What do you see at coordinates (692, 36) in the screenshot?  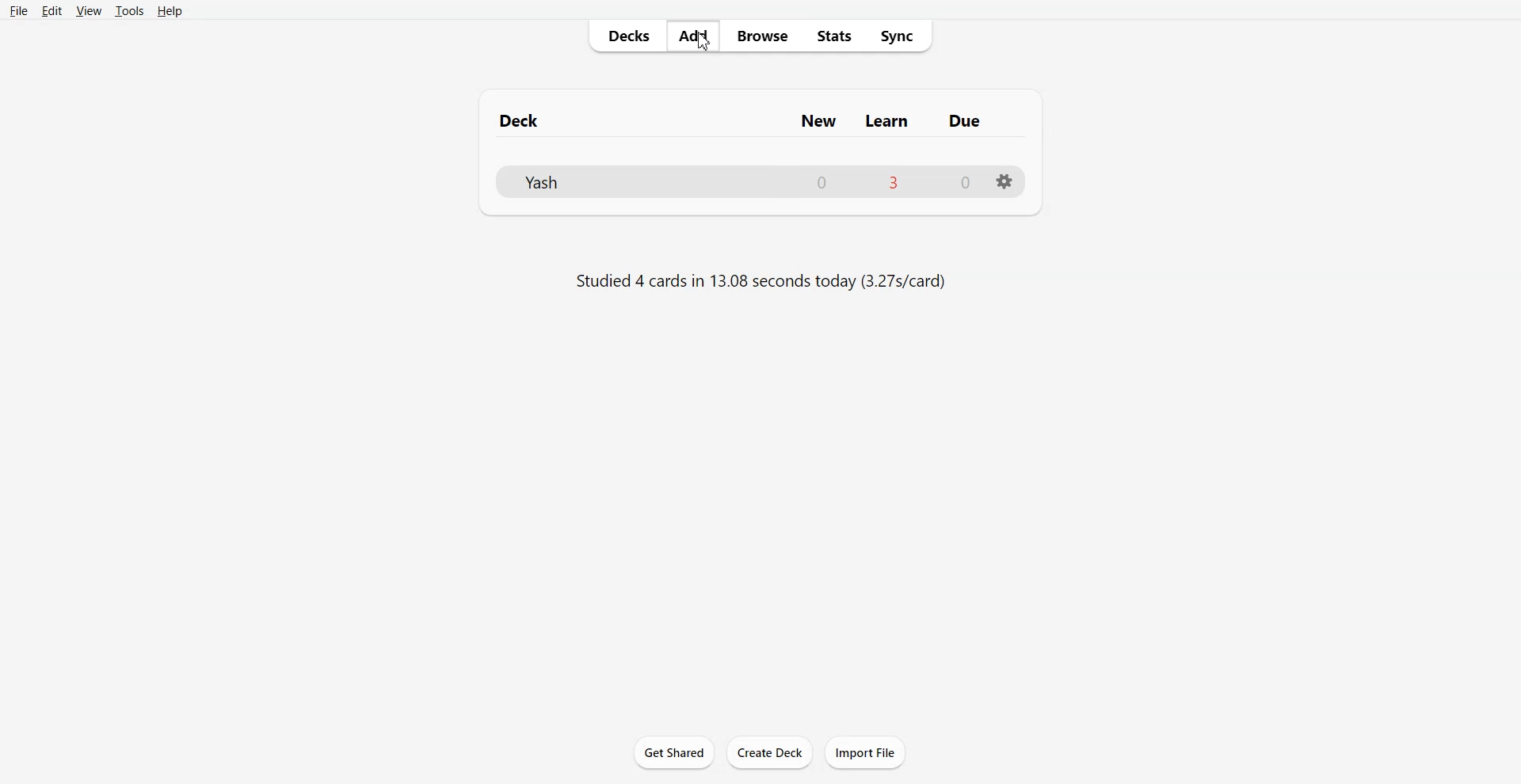 I see `Add` at bounding box center [692, 36].